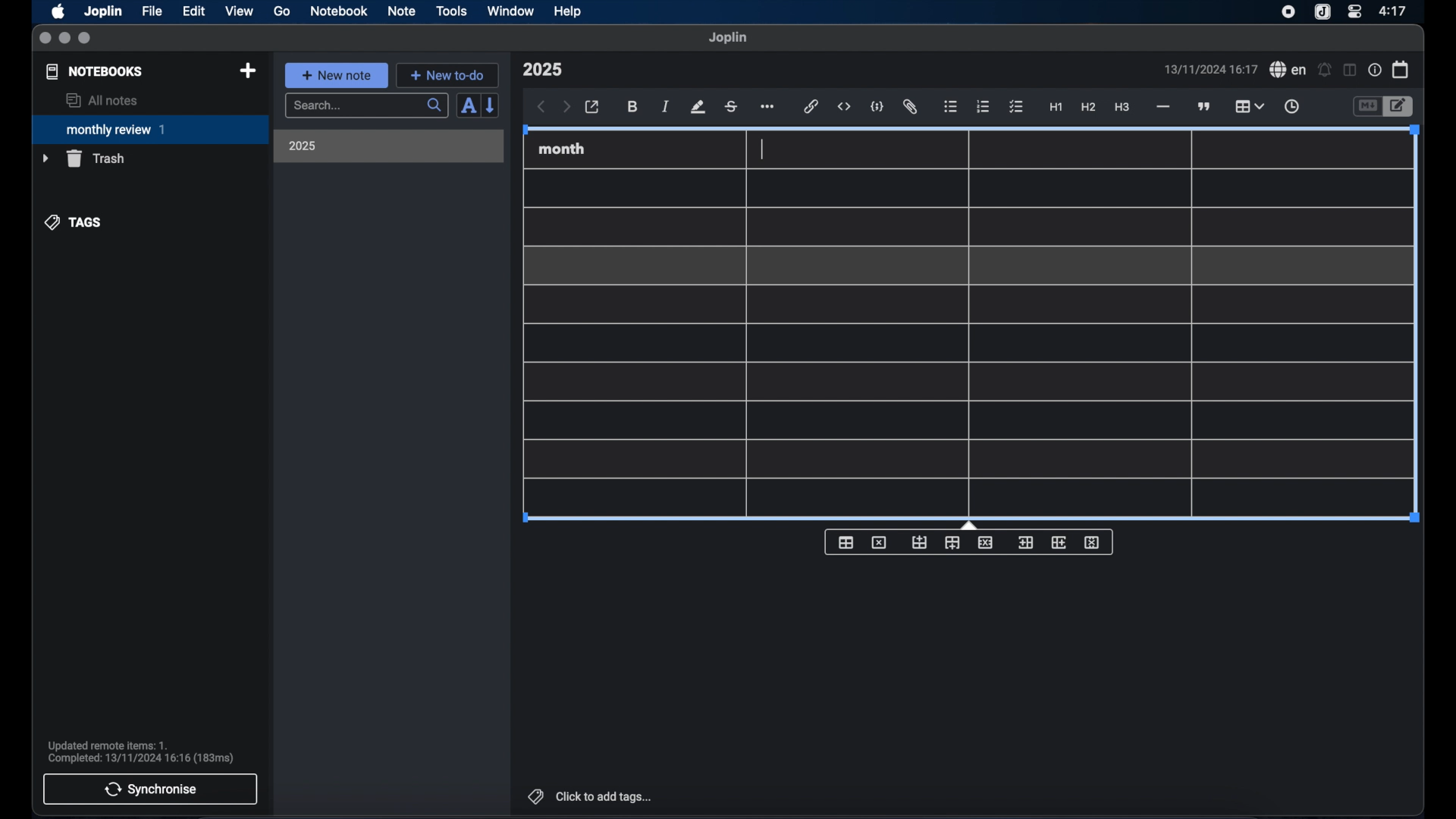  Describe the element at coordinates (566, 108) in the screenshot. I see `forward` at that location.